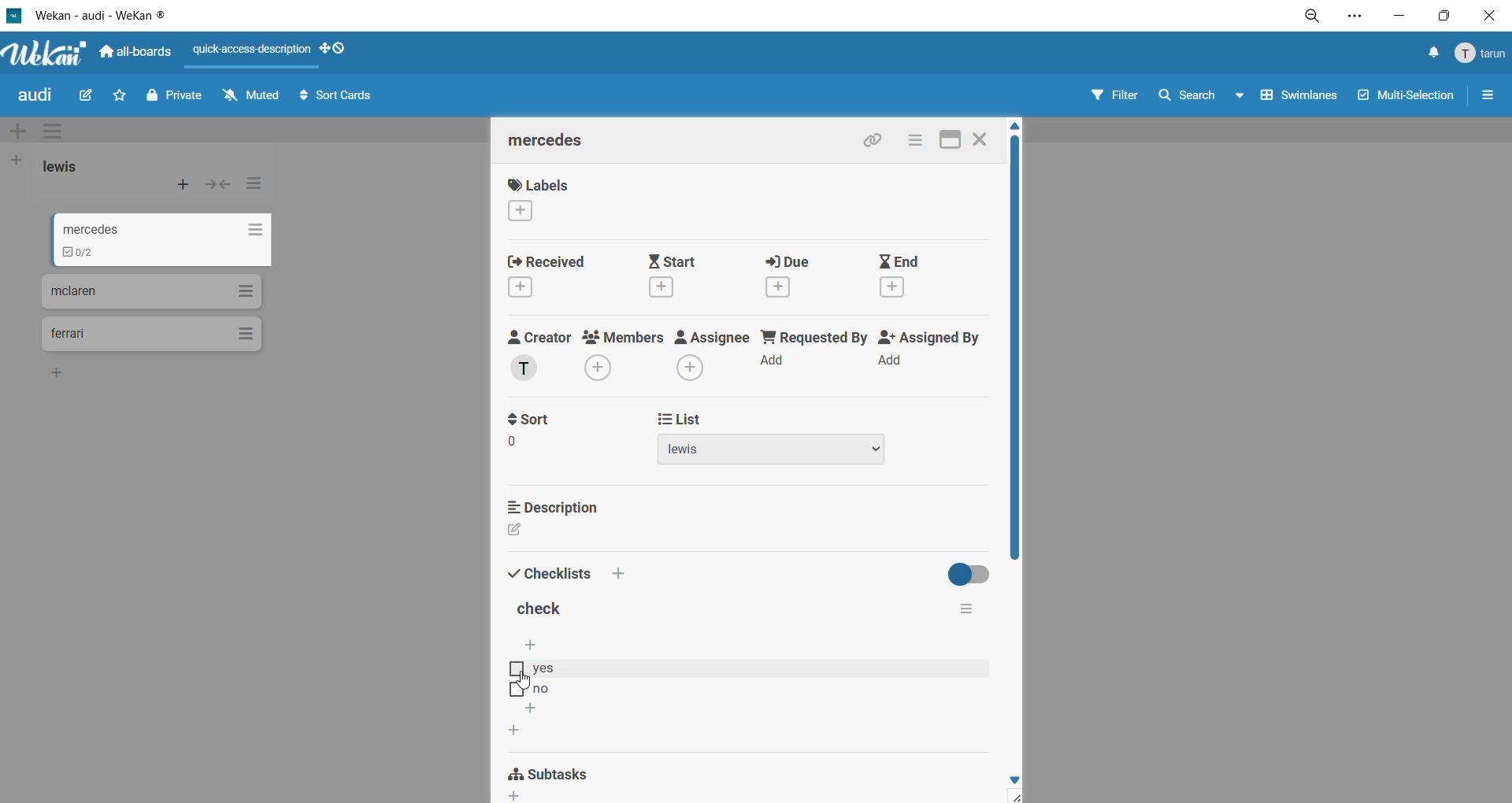 This screenshot has height=803, width=1512. What do you see at coordinates (1408, 98) in the screenshot?
I see `multiselection` at bounding box center [1408, 98].